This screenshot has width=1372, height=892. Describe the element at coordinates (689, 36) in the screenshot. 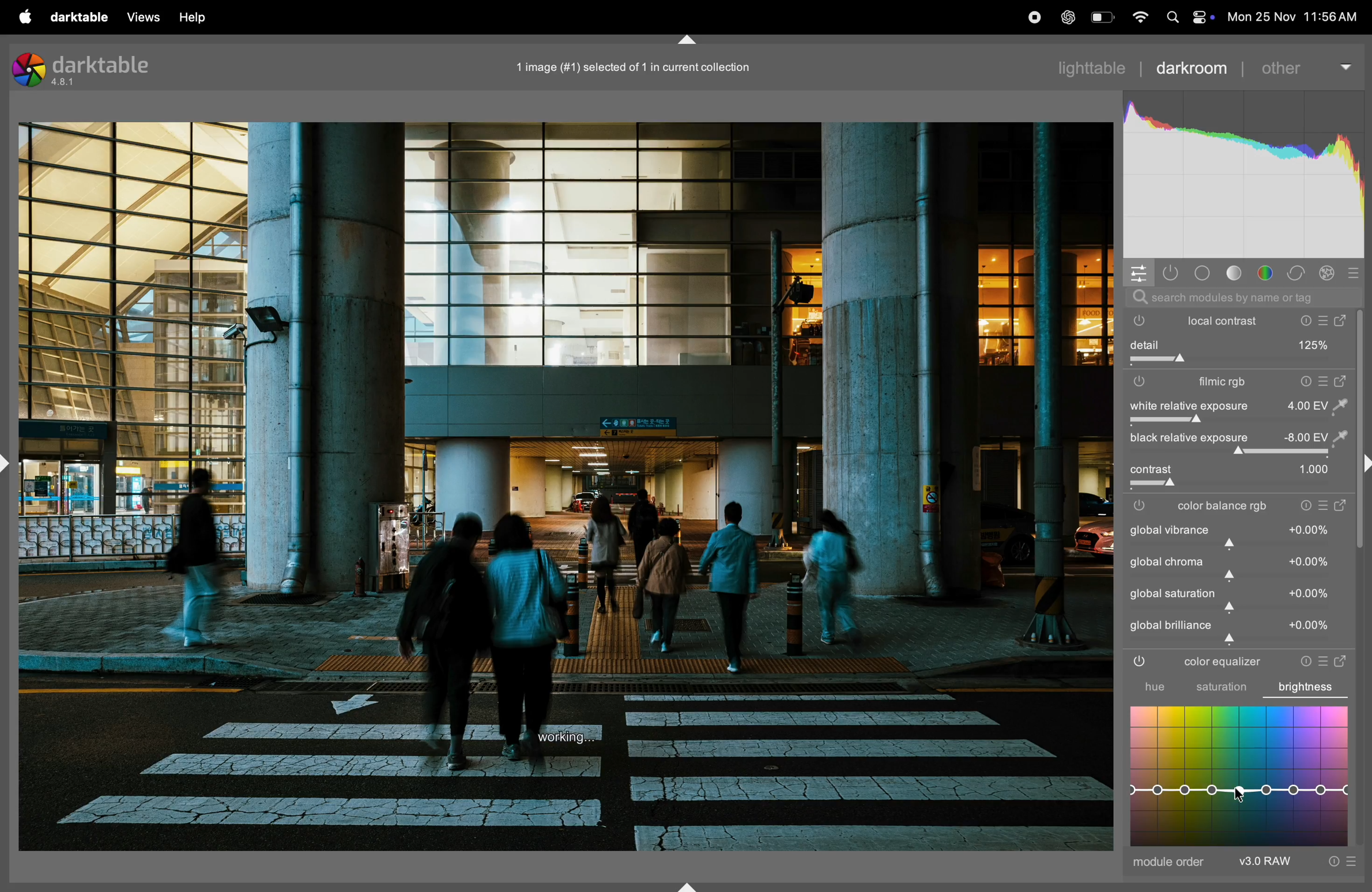

I see `Collapse or expand ` at that location.